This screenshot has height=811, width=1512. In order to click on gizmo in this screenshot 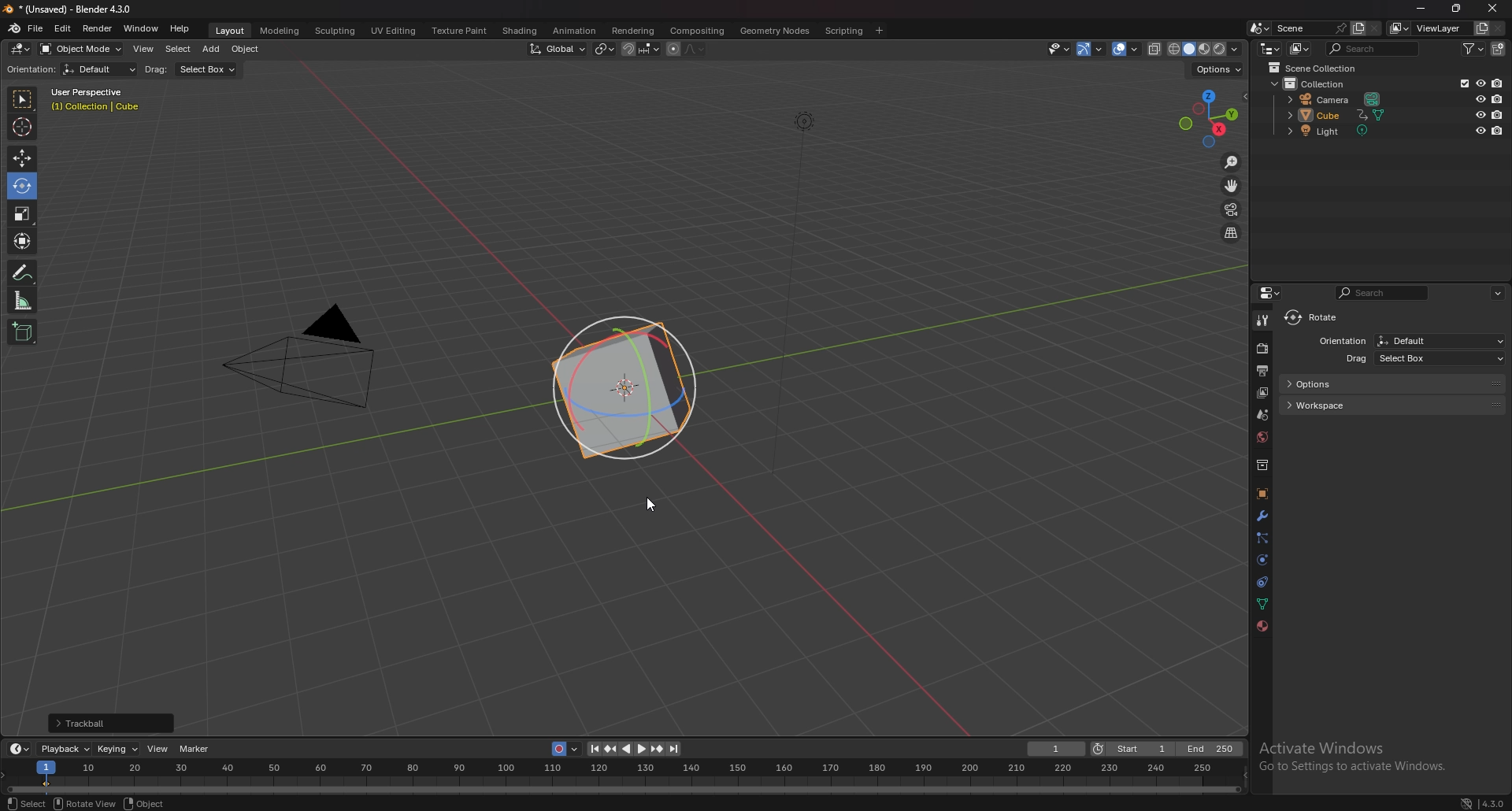, I will do `click(1092, 48)`.